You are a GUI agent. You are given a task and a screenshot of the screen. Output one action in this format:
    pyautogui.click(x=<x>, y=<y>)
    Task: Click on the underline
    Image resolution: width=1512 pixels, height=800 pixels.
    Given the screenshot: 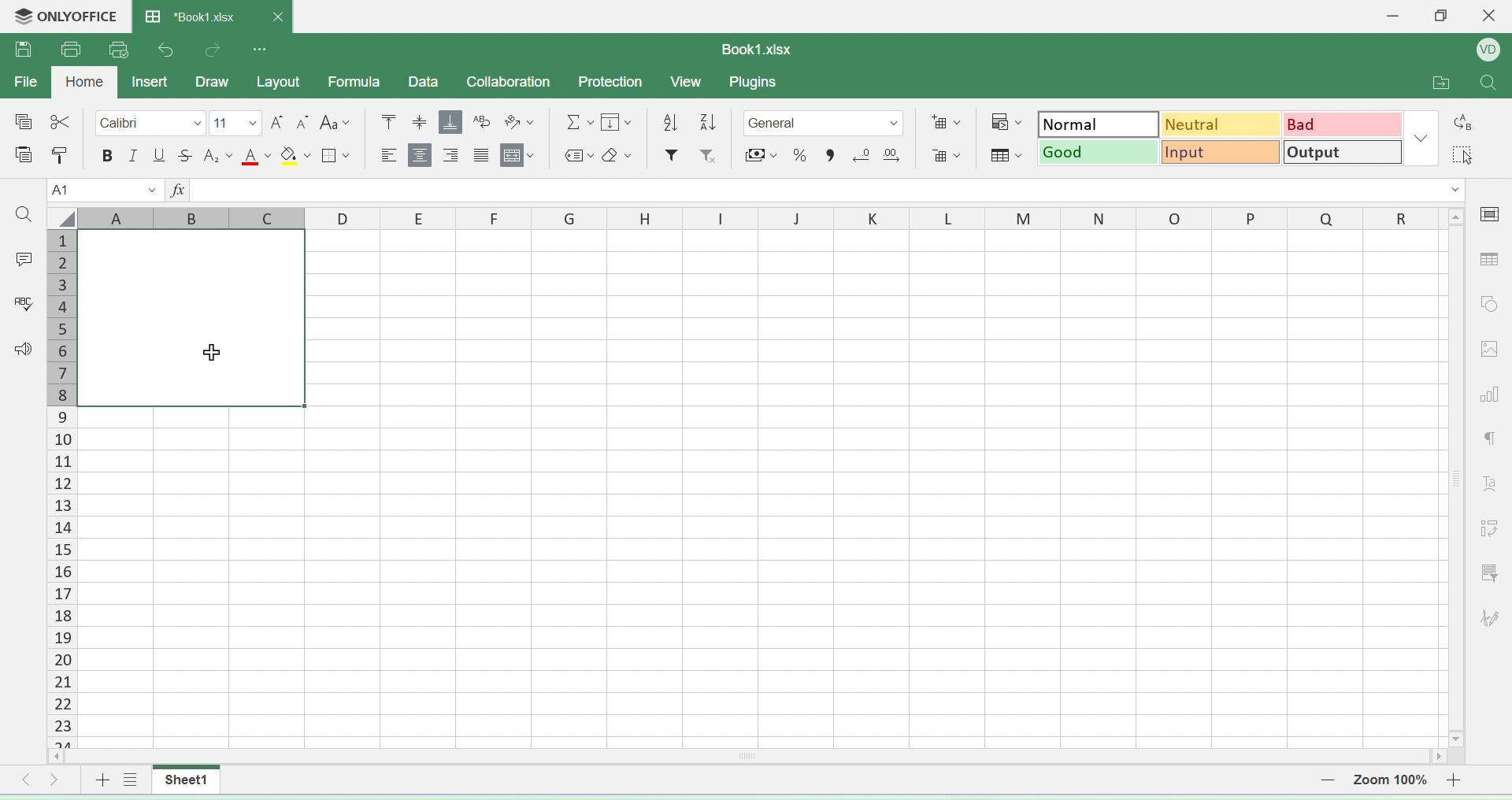 What is the action you would take?
    pyautogui.click(x=158, y=156)
    